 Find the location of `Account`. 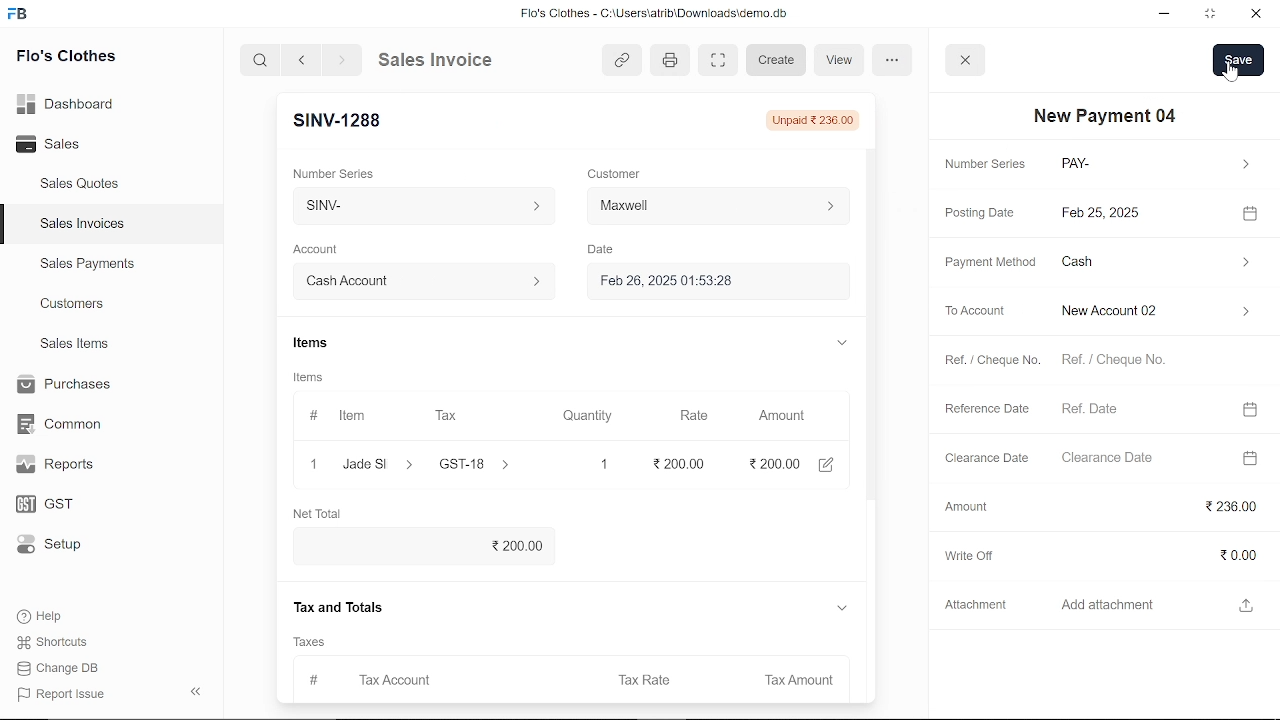

Account is located at coordinates (322, 250).